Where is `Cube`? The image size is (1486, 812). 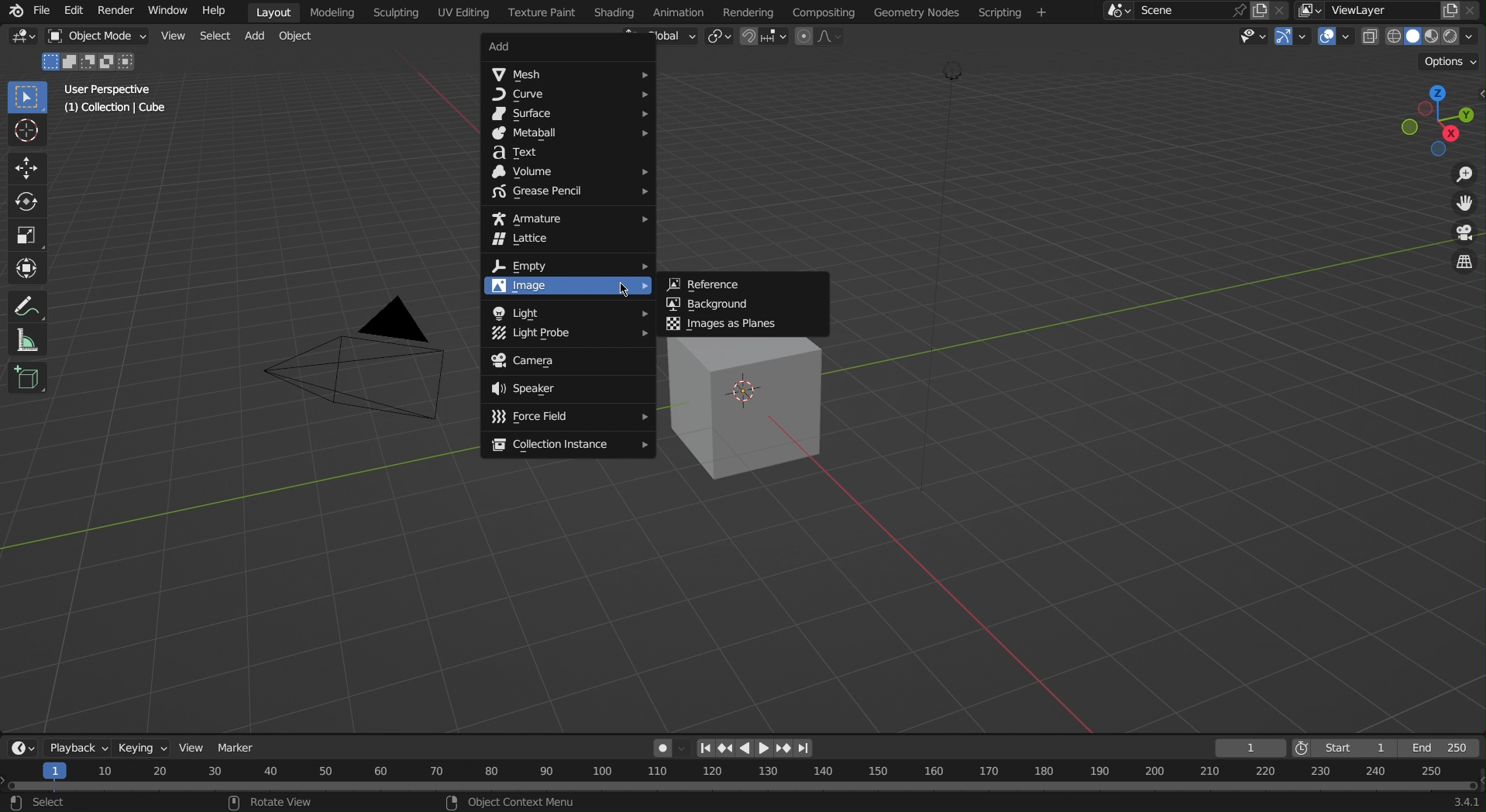 Cube is located at coordinates (29, 377).